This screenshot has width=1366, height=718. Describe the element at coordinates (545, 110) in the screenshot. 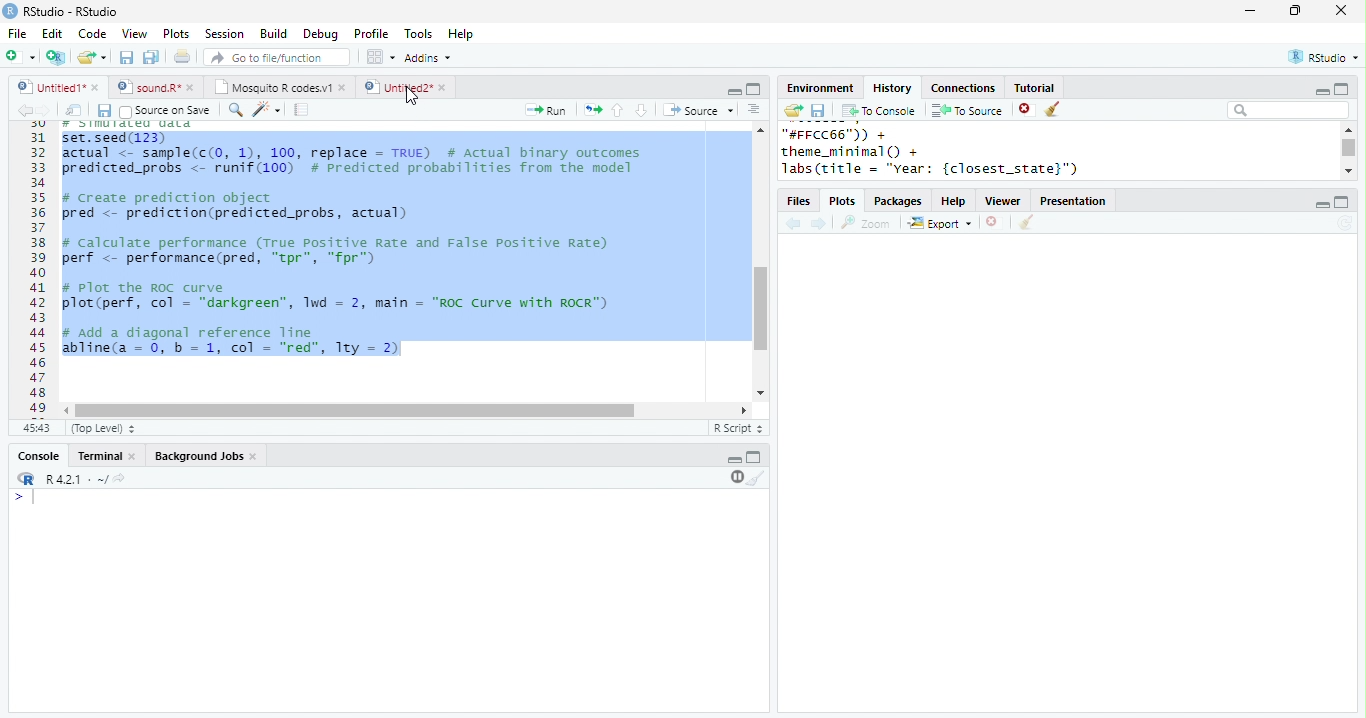

I see `run` at that location.